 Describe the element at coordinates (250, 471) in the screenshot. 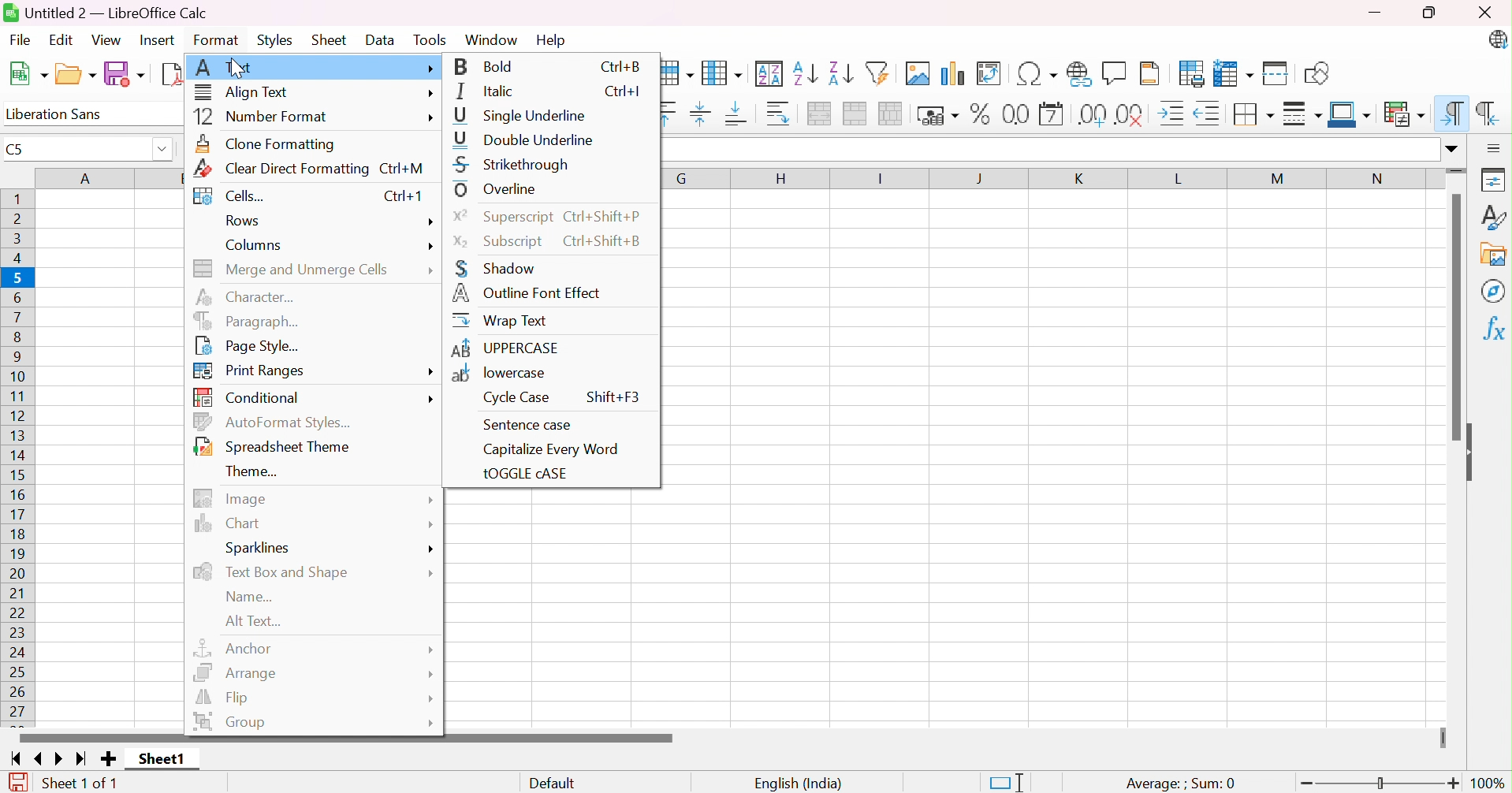

I see `Theme...` at that location.